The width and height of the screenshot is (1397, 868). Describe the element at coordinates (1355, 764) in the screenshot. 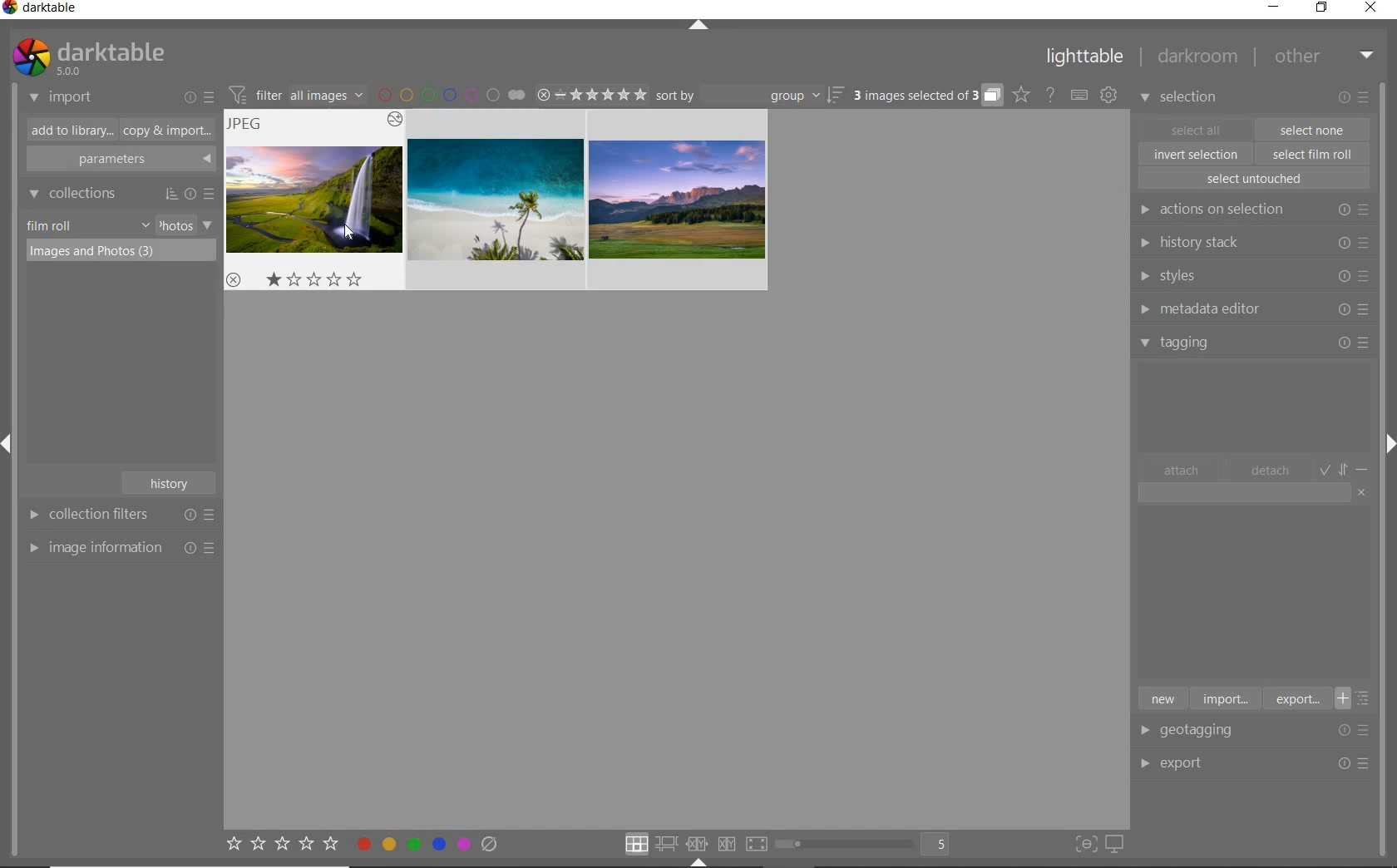

I see `Options` at that location.